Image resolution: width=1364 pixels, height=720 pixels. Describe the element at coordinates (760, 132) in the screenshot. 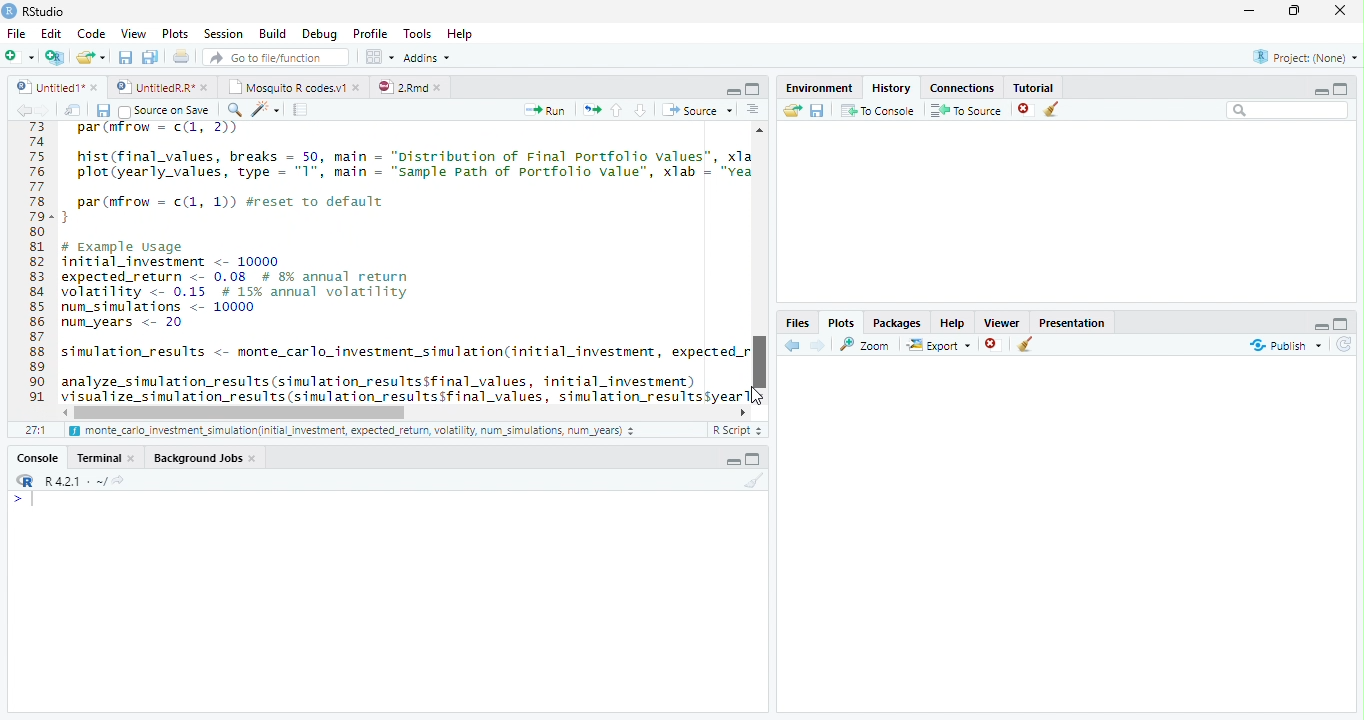

I see `Scroll Up` at that location.